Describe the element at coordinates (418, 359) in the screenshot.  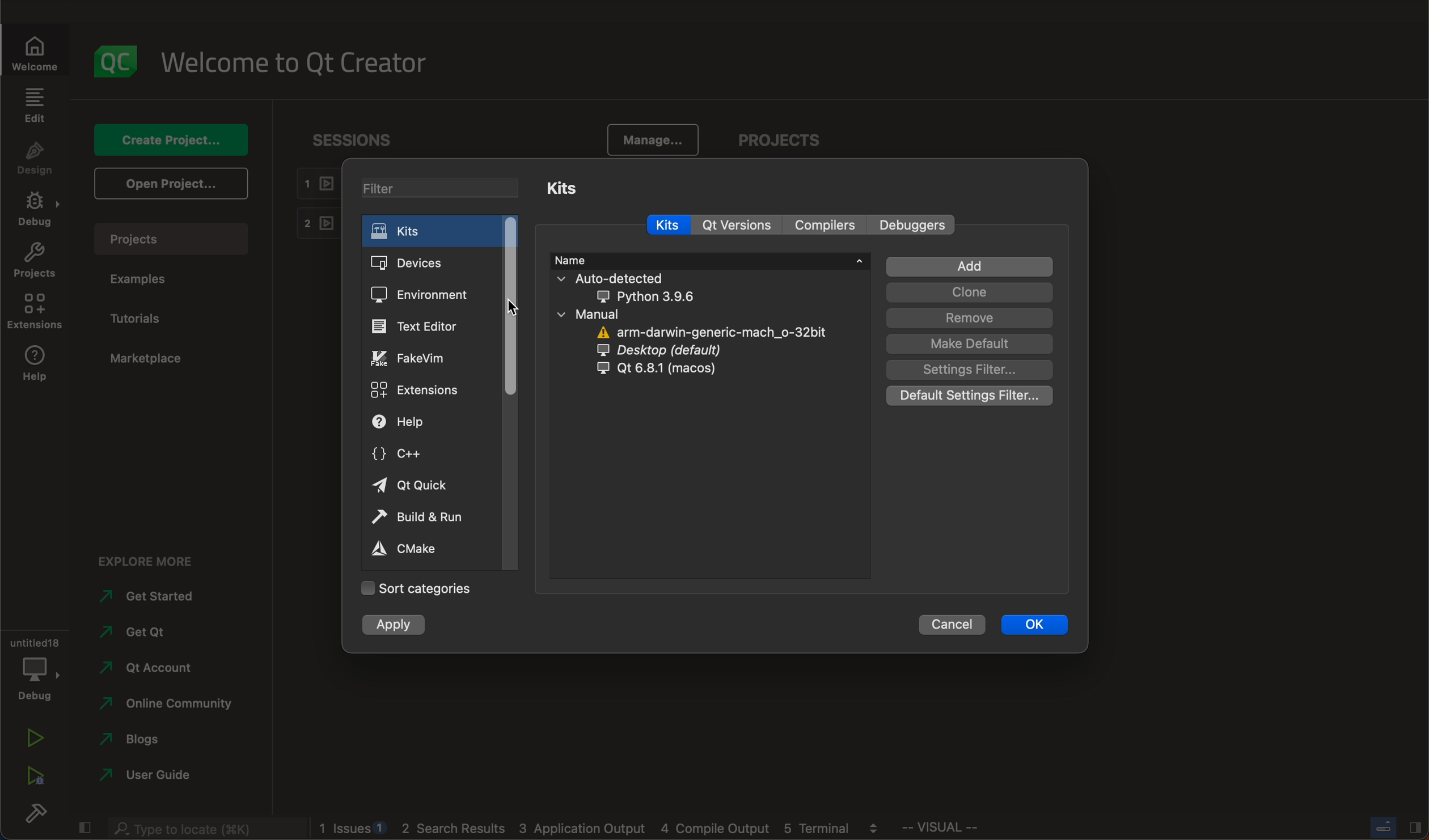
I see `fakeVim` at that location.